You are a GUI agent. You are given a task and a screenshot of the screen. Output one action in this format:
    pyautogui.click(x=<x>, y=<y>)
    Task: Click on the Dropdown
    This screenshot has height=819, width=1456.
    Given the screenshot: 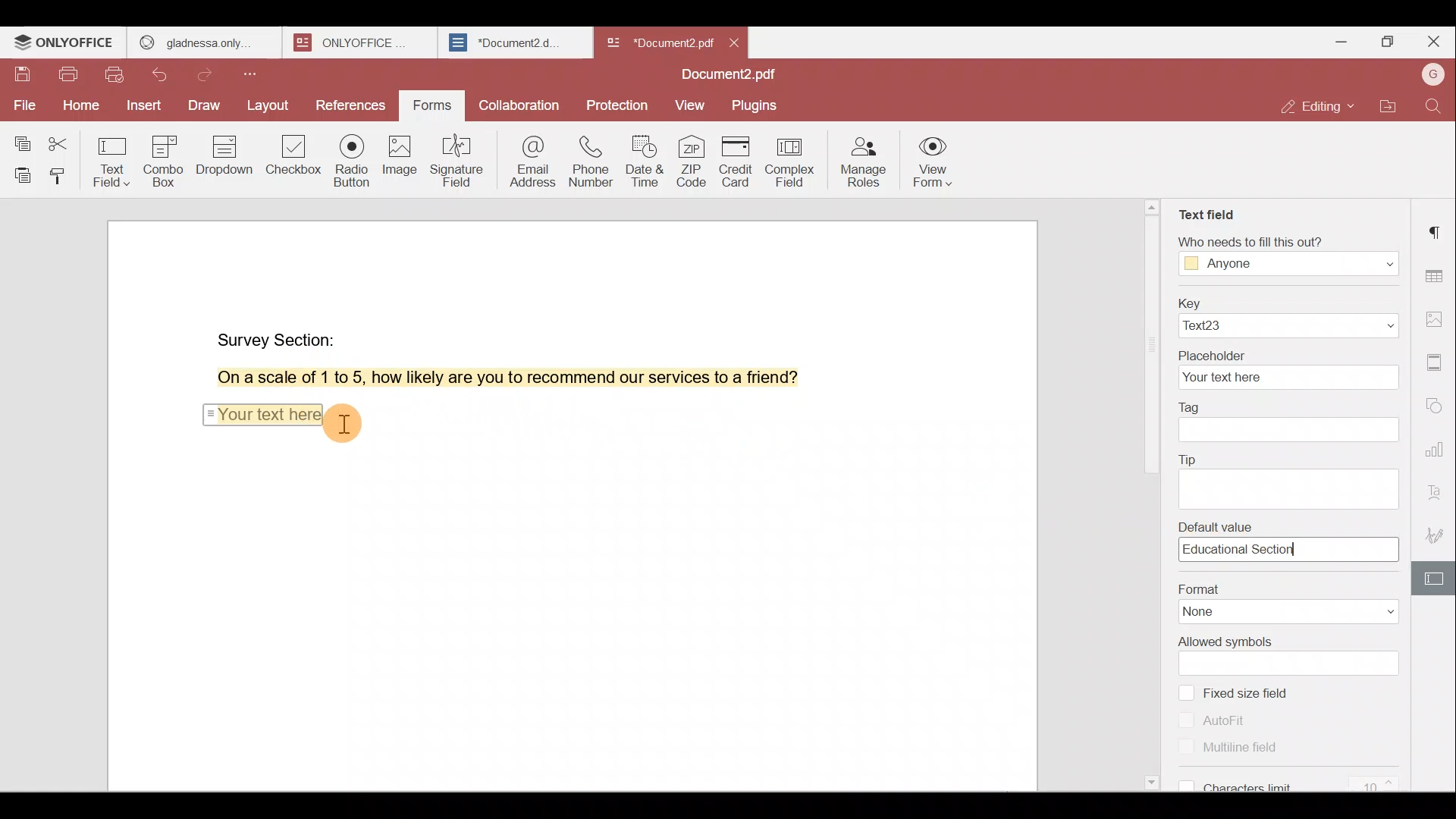 What is the action you would take?
    pyautogui.click(x=227, y=155)
    